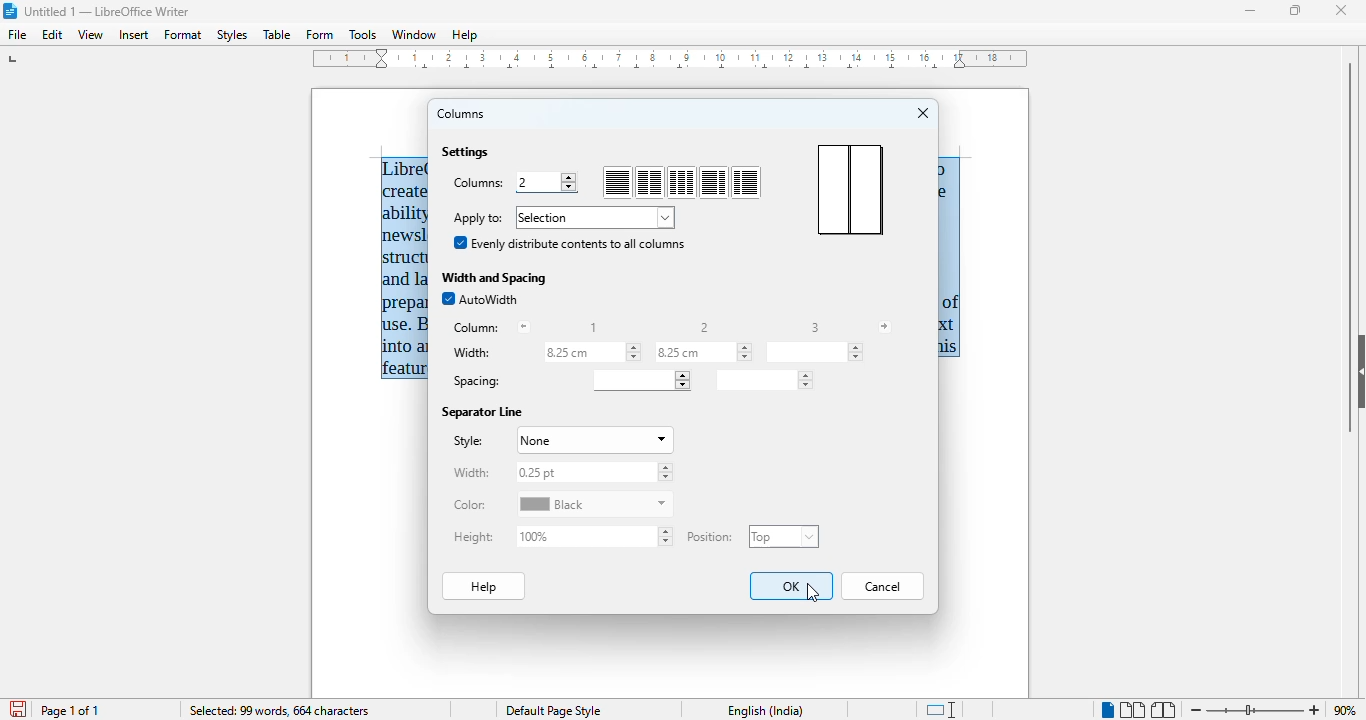 The image size is (1366, 720). What do you see at coordinates (485, 586) in the screenshot?
I see `help` at bounding box center [485, 586].